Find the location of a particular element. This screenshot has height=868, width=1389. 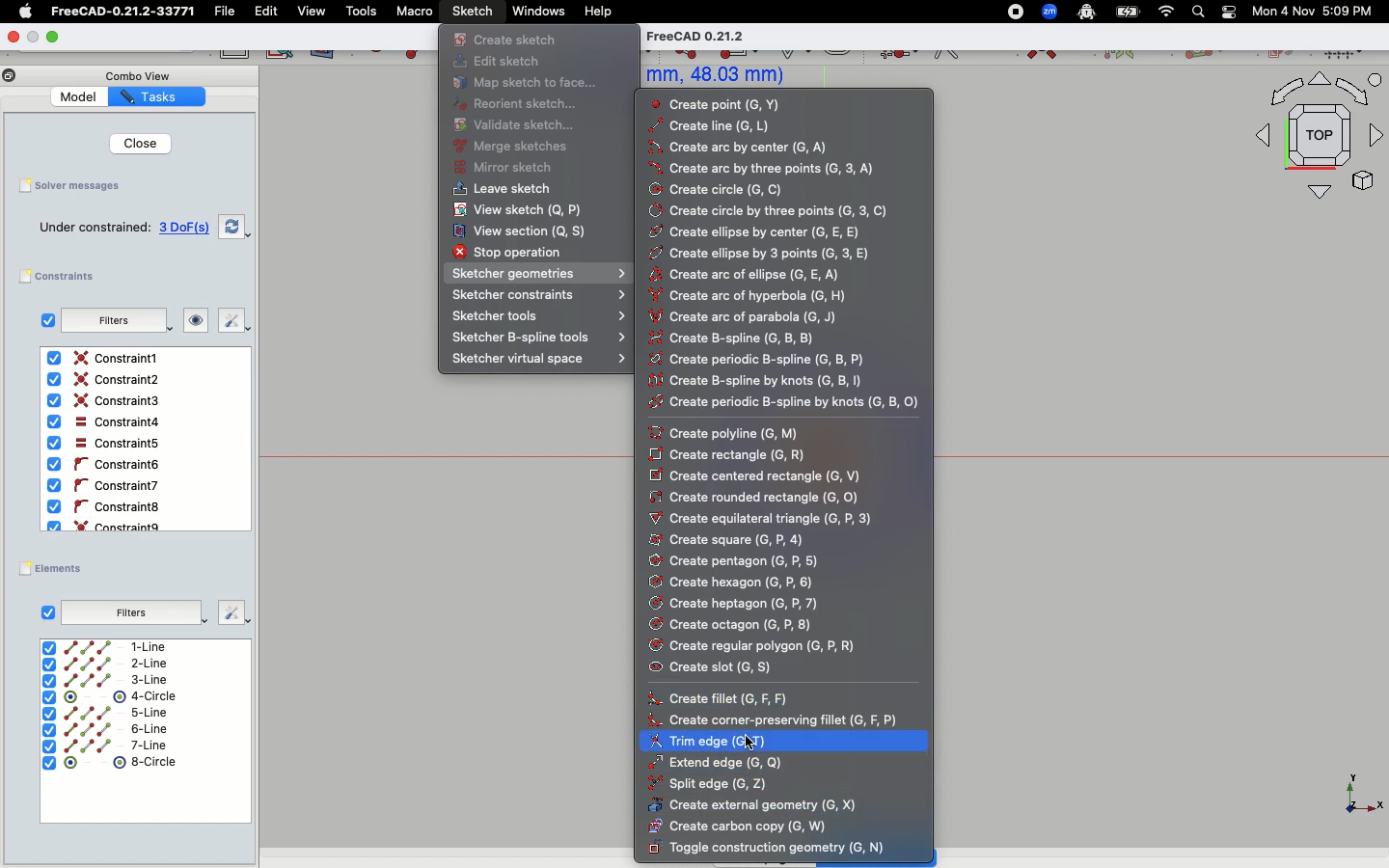

Map sketch to face is located at coordinates (523, 82).